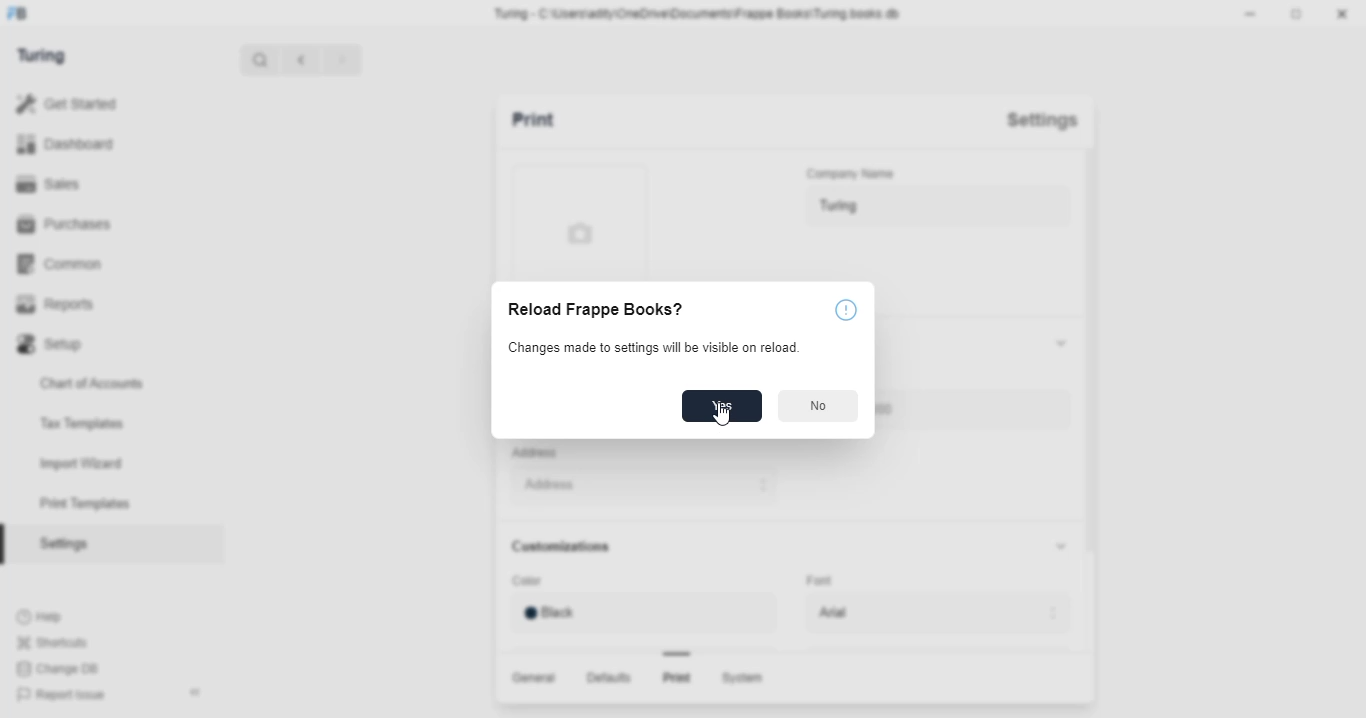 This screenshot has height=718, width=1366. I want to click on Change DB, so click(57, 669).